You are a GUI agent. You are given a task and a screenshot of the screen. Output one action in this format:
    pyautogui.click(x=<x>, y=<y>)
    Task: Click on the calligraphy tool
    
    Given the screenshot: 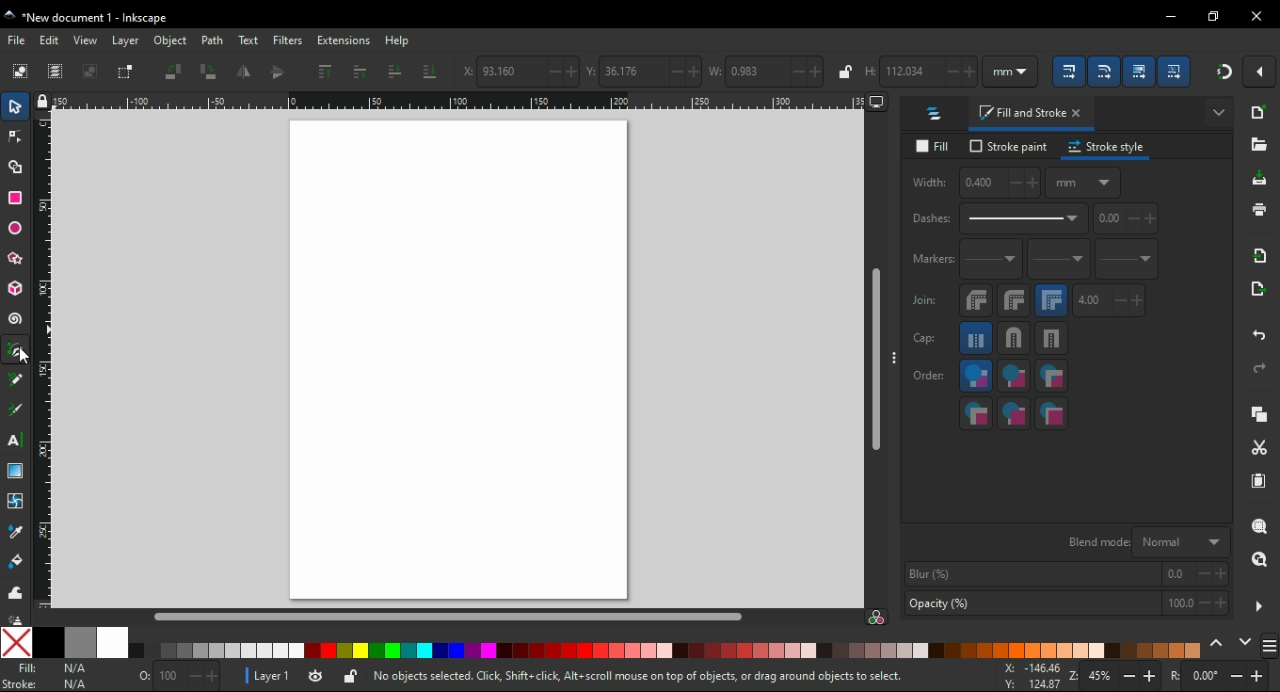 What is the action you would take?
    pyautogui.click(x=16, y=410)
    